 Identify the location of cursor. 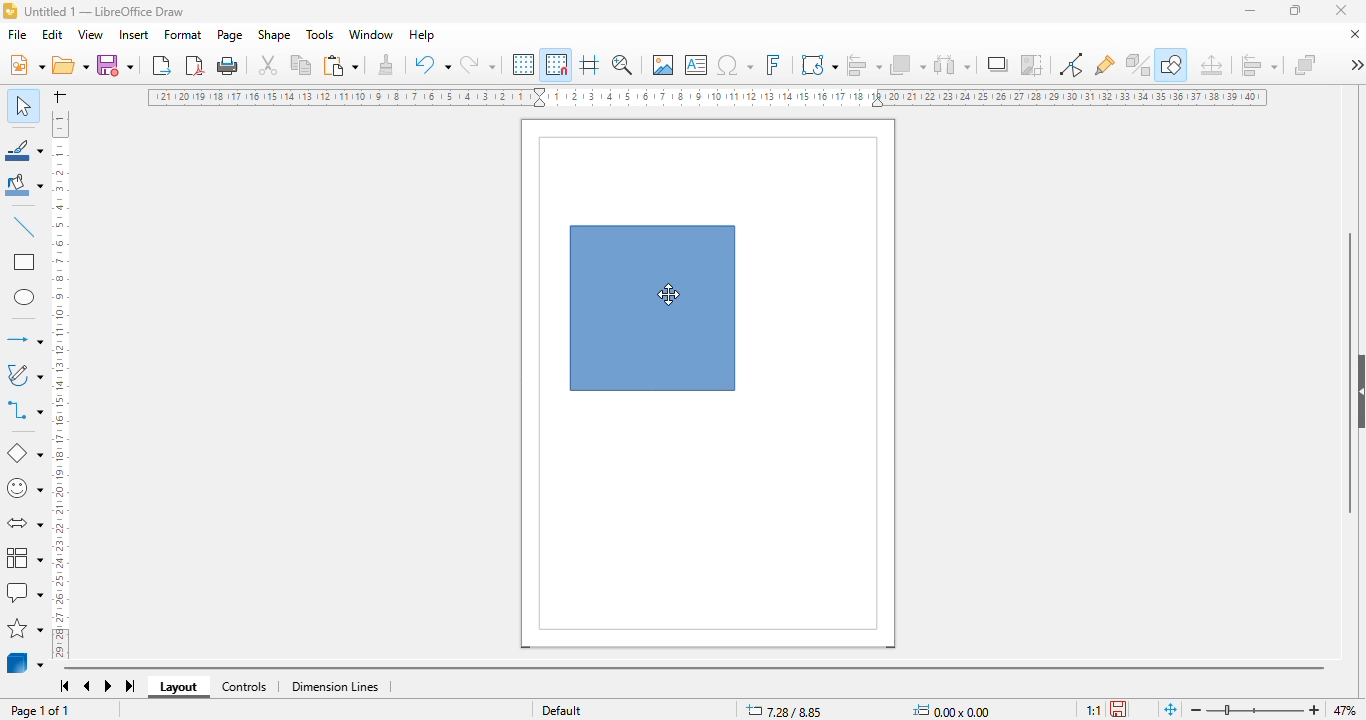
(669, 293).